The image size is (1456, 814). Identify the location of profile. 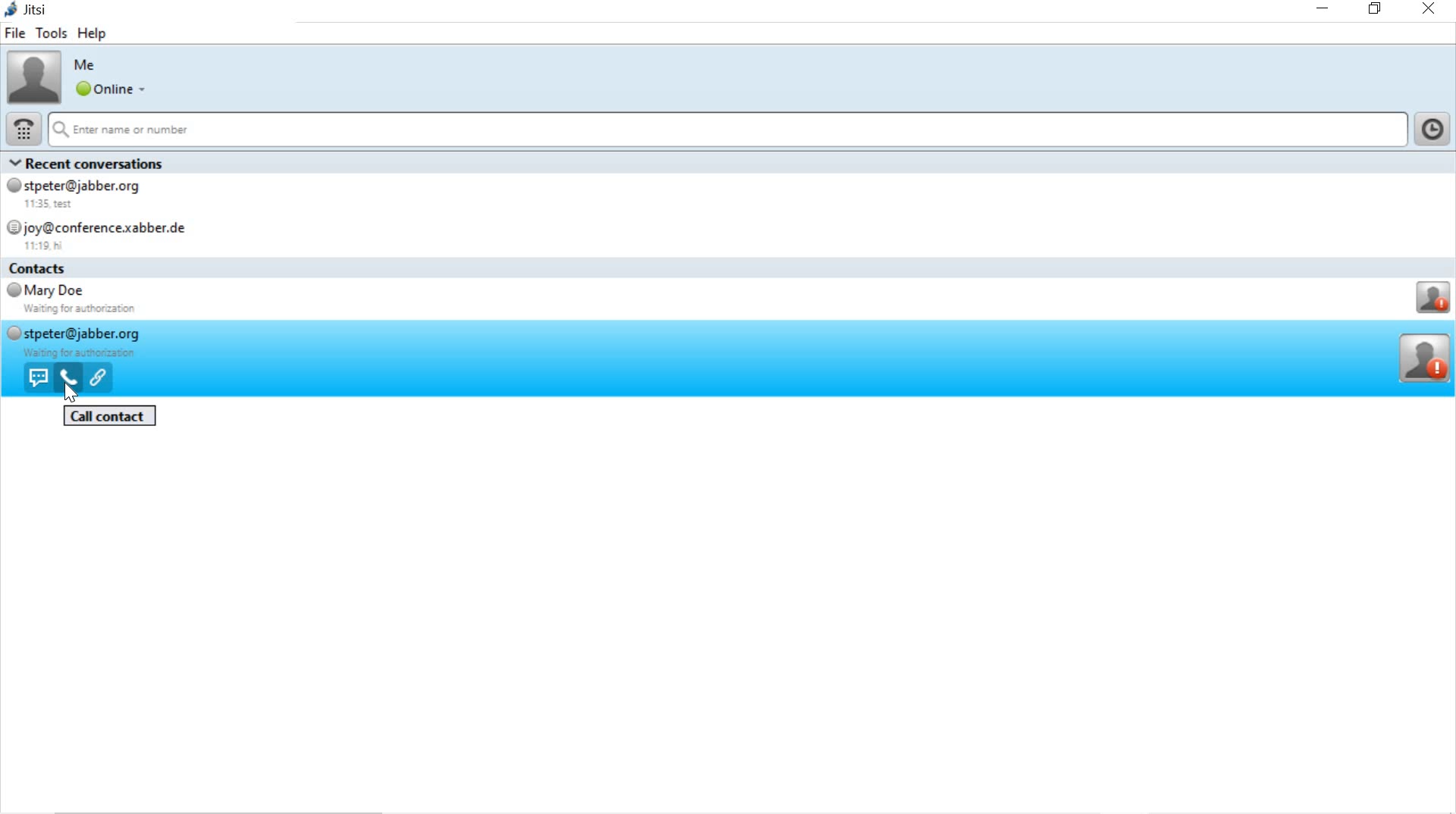
(1426, 358).